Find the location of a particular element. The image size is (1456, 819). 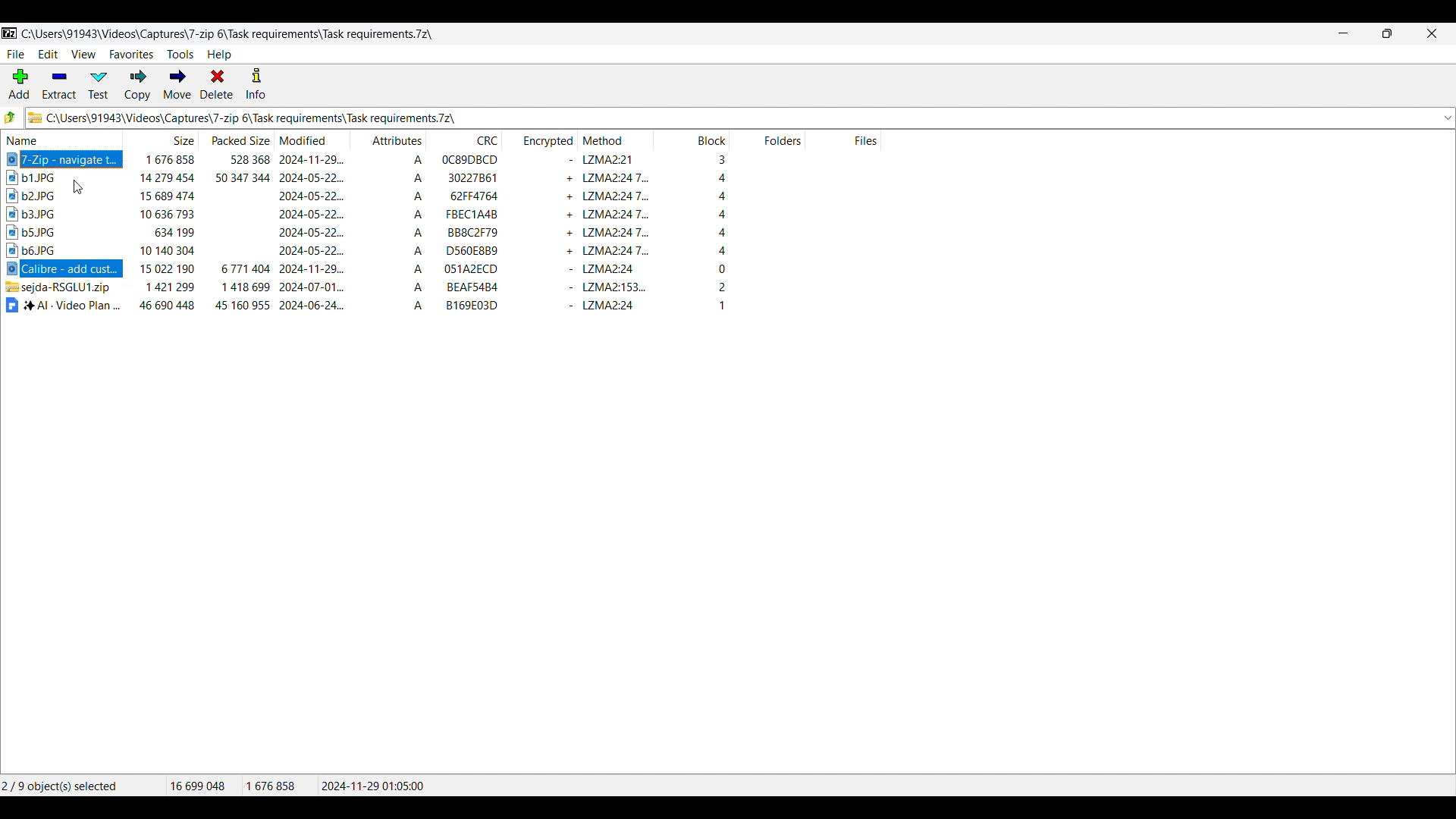

Info is located at coordinates (256, 83).